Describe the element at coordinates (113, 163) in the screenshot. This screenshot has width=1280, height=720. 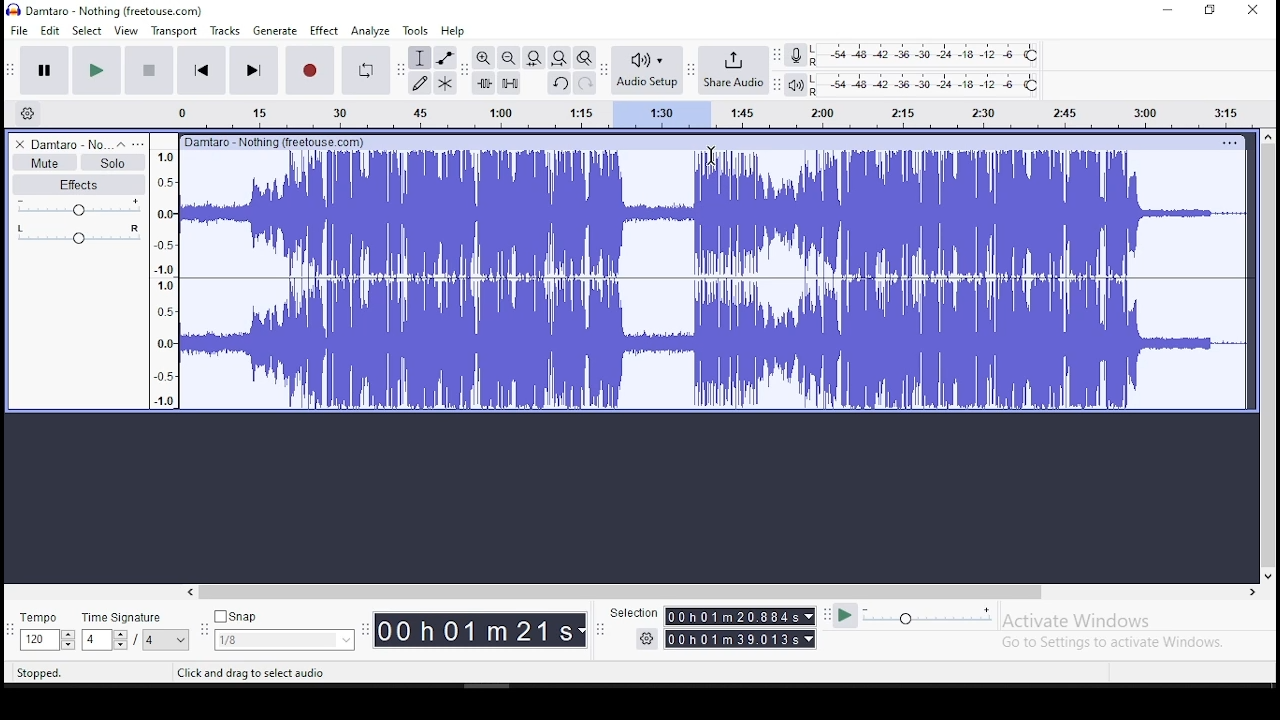
I see `solo` at that location.